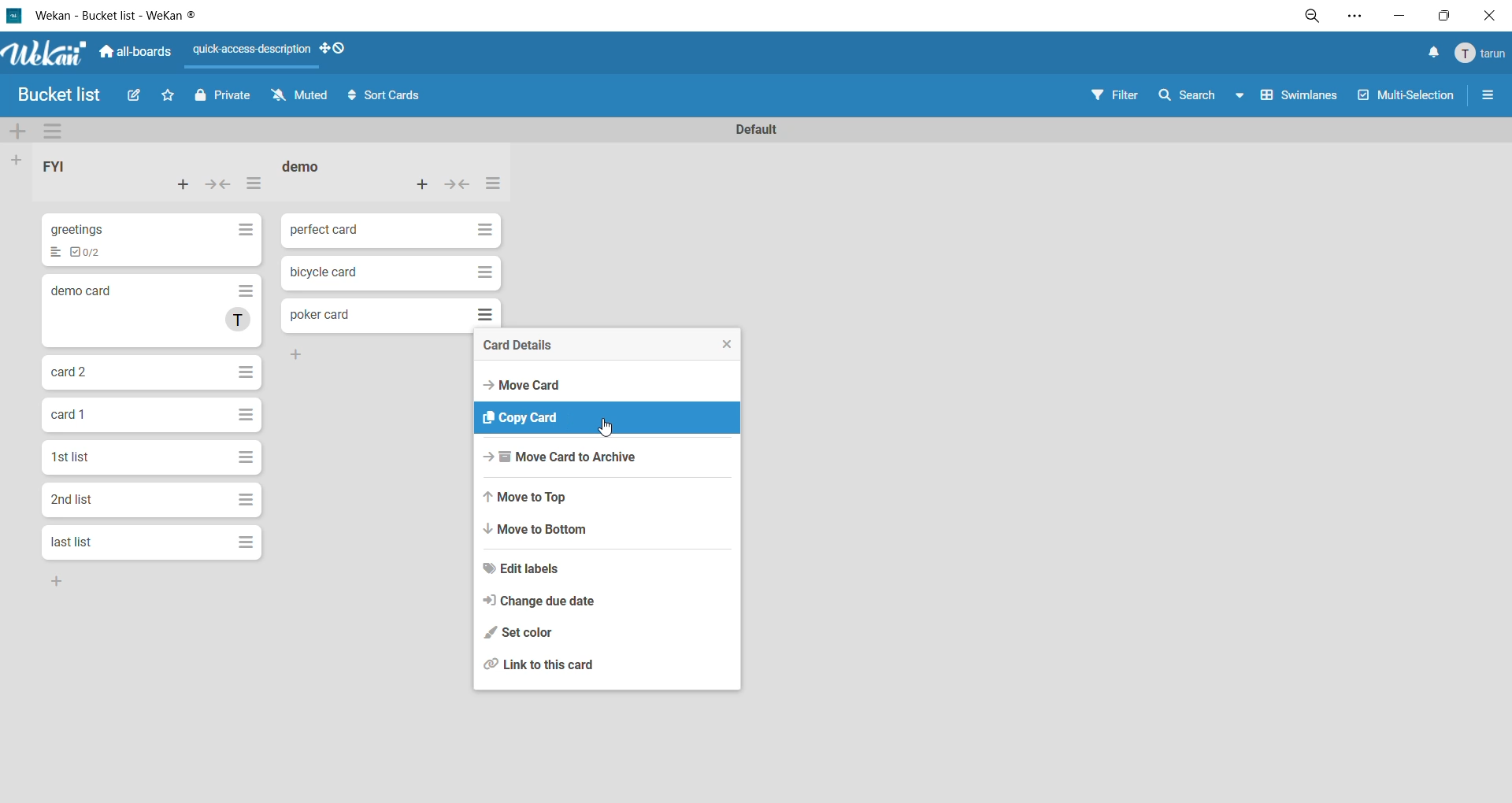  What do you see at coordinates (83, 229) in the screenshot?
I see `greetings` at bounding box center [83, 229].